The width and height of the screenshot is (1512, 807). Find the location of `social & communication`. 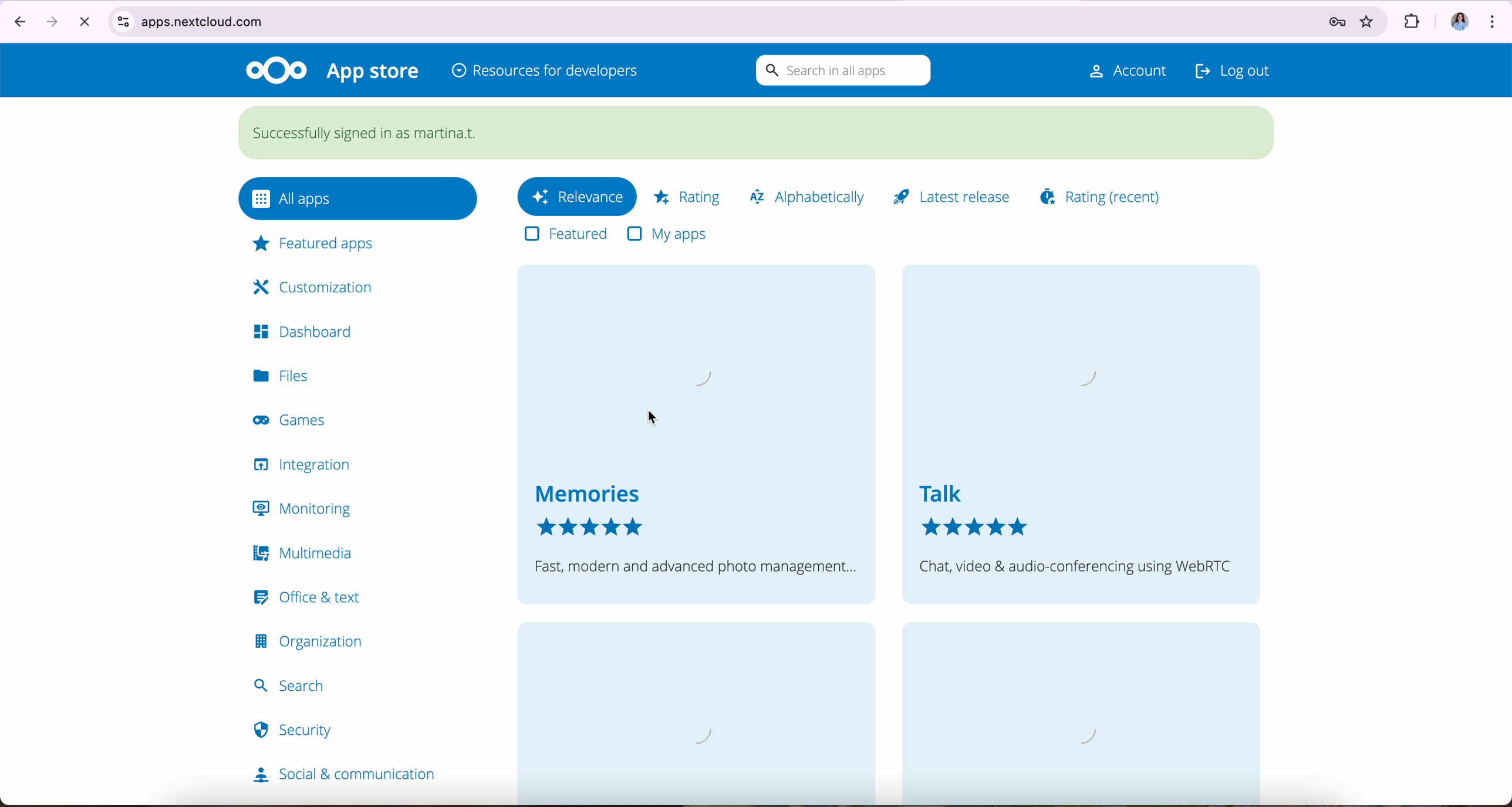

social & communication is located at coordinates (340, 776).